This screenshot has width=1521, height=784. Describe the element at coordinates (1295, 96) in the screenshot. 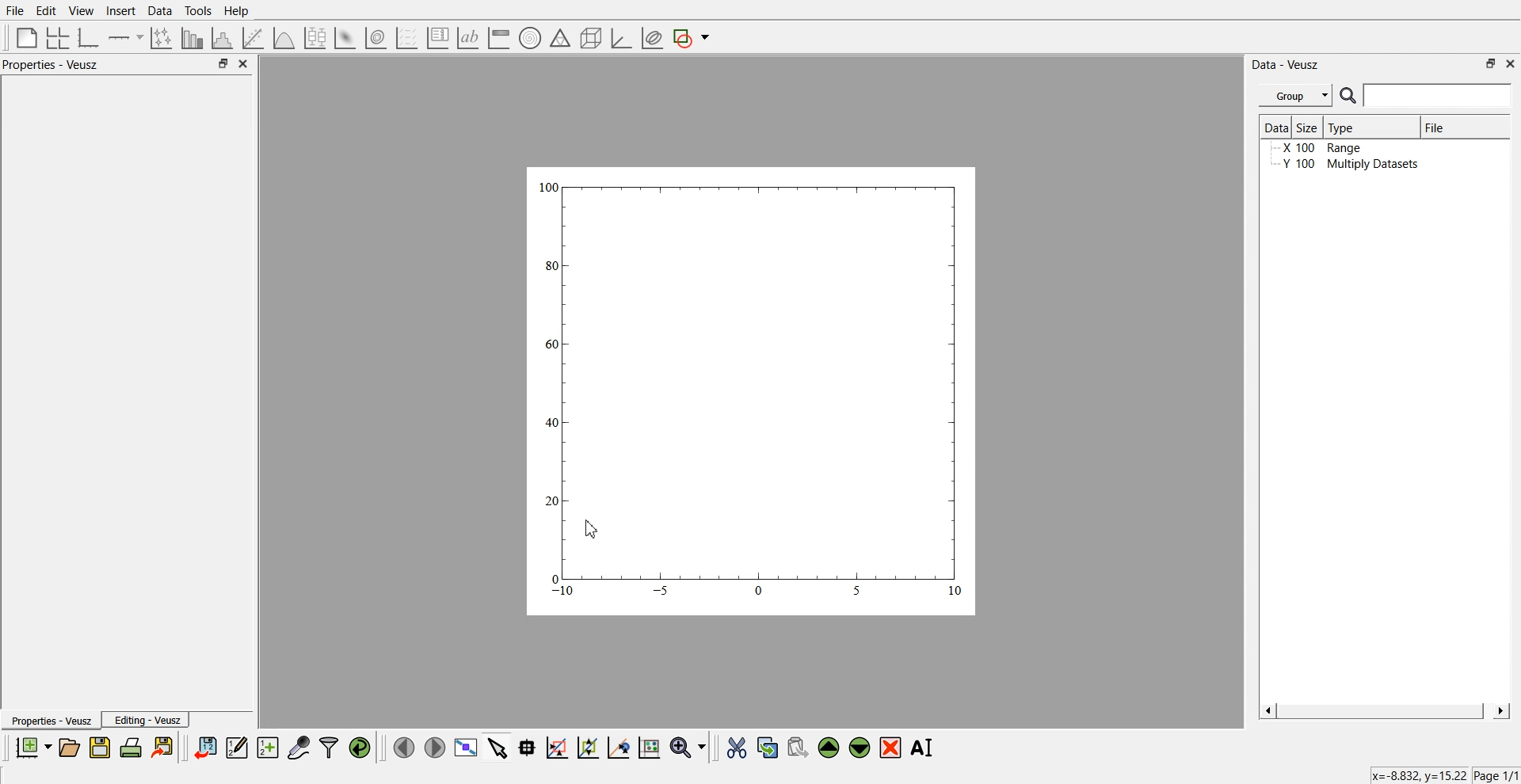

I see `` at that location.